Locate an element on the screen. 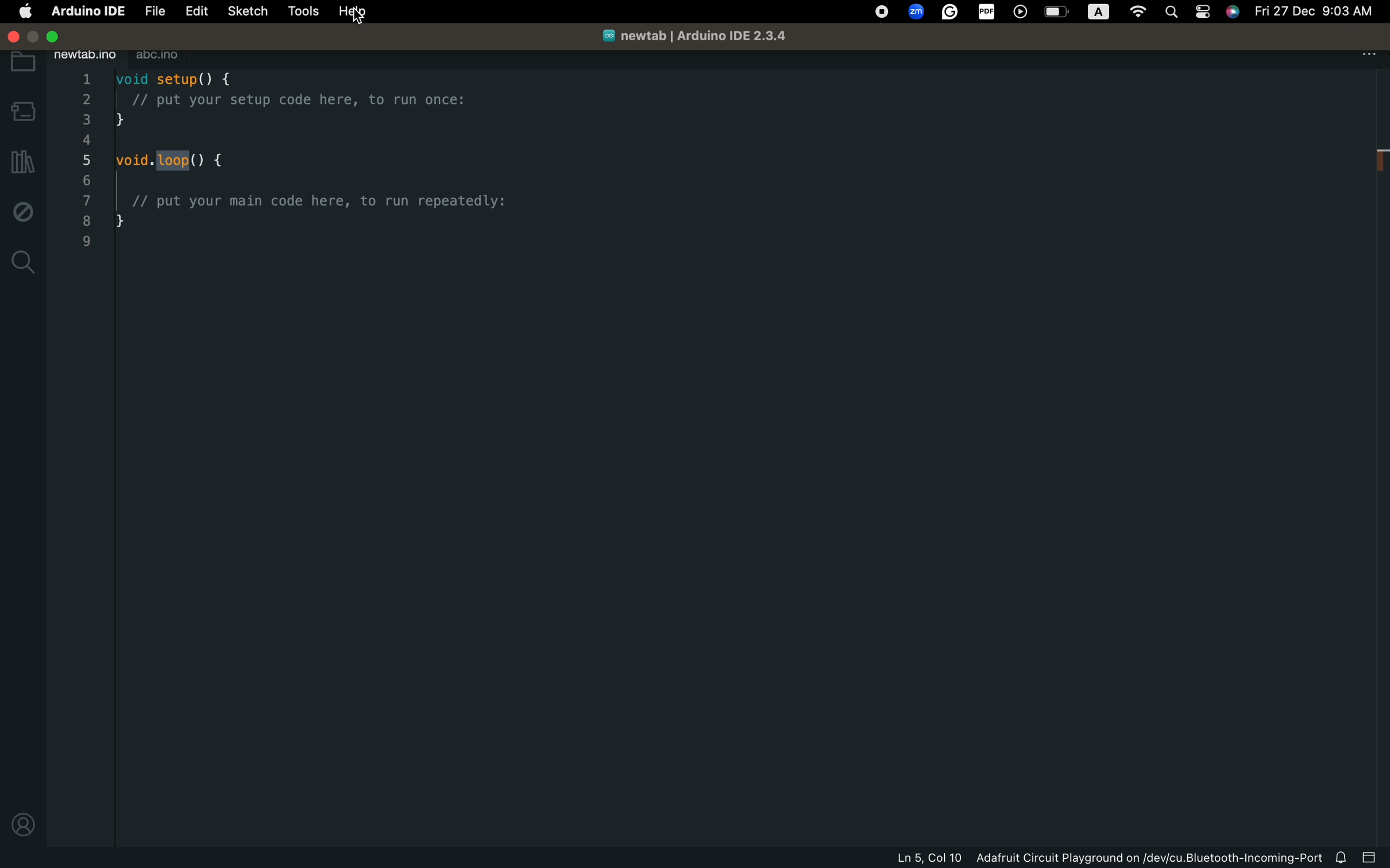  code is located at coordinates (313, 155).